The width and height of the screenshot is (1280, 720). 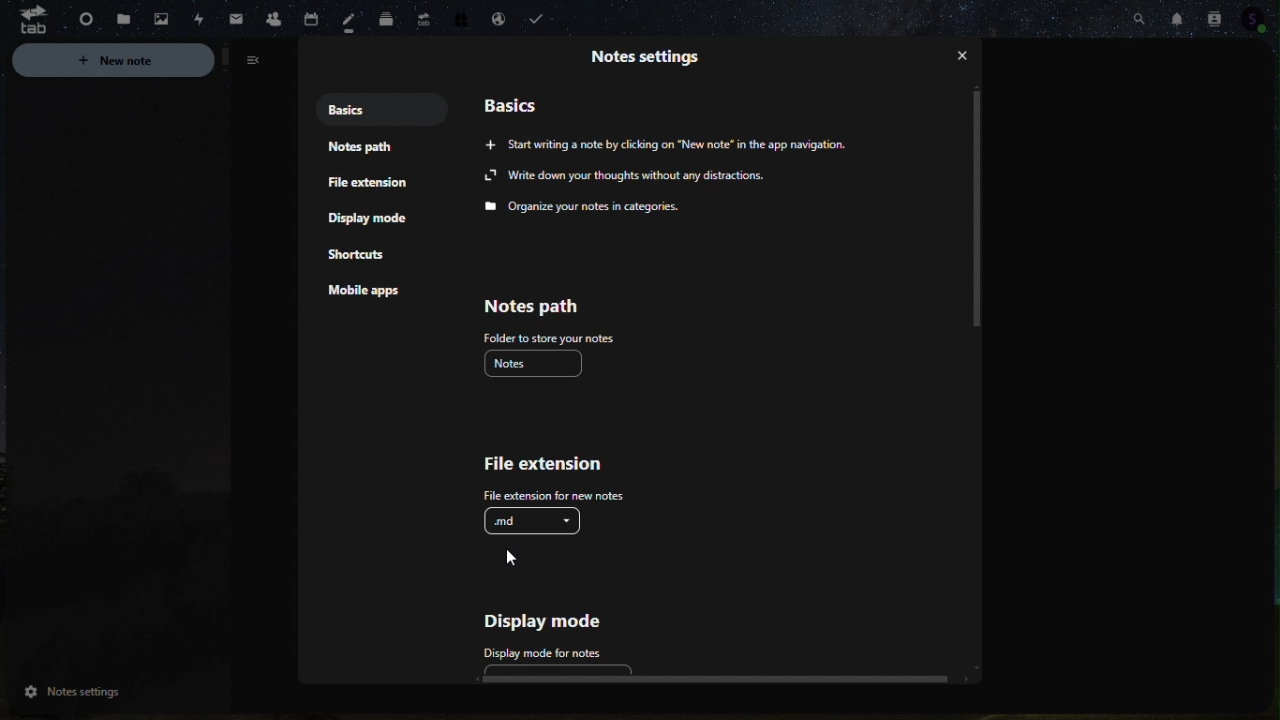 I want to click on Contacts, so click(x=271, y=16).